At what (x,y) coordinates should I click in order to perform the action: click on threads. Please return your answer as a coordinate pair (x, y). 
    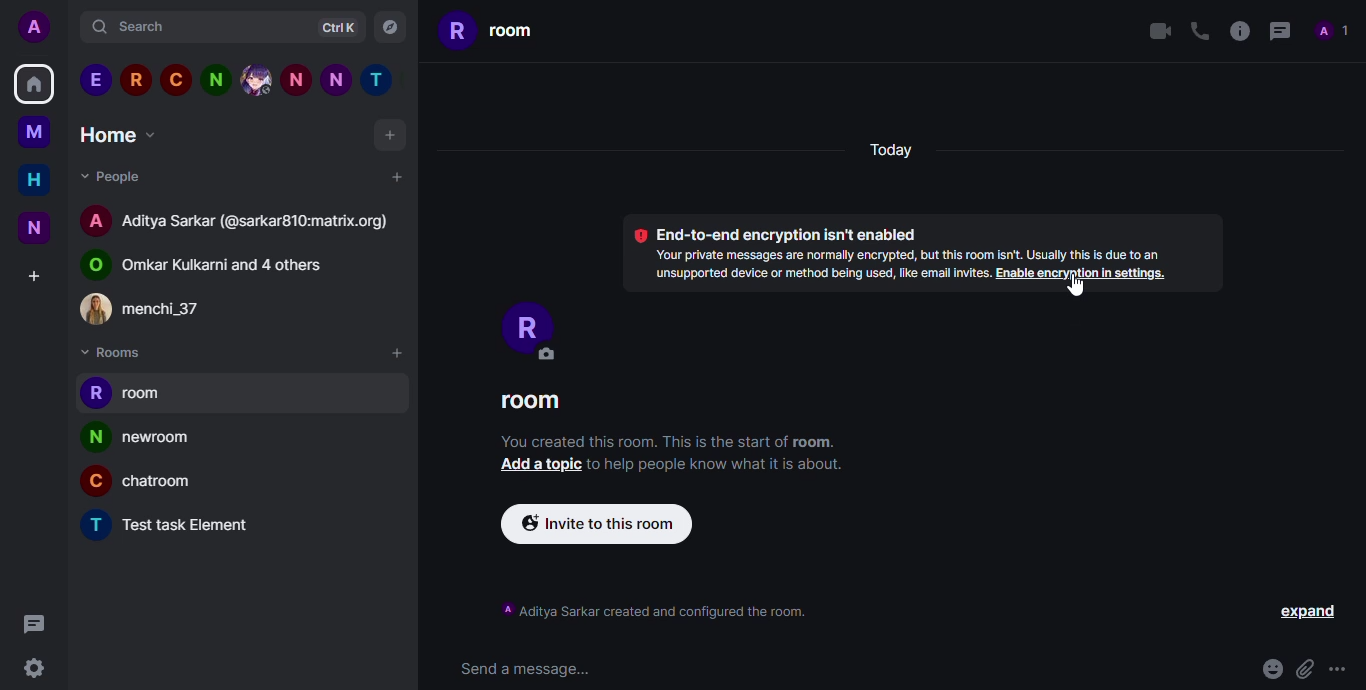
    Looking at the image, I should click on (1278, 30).